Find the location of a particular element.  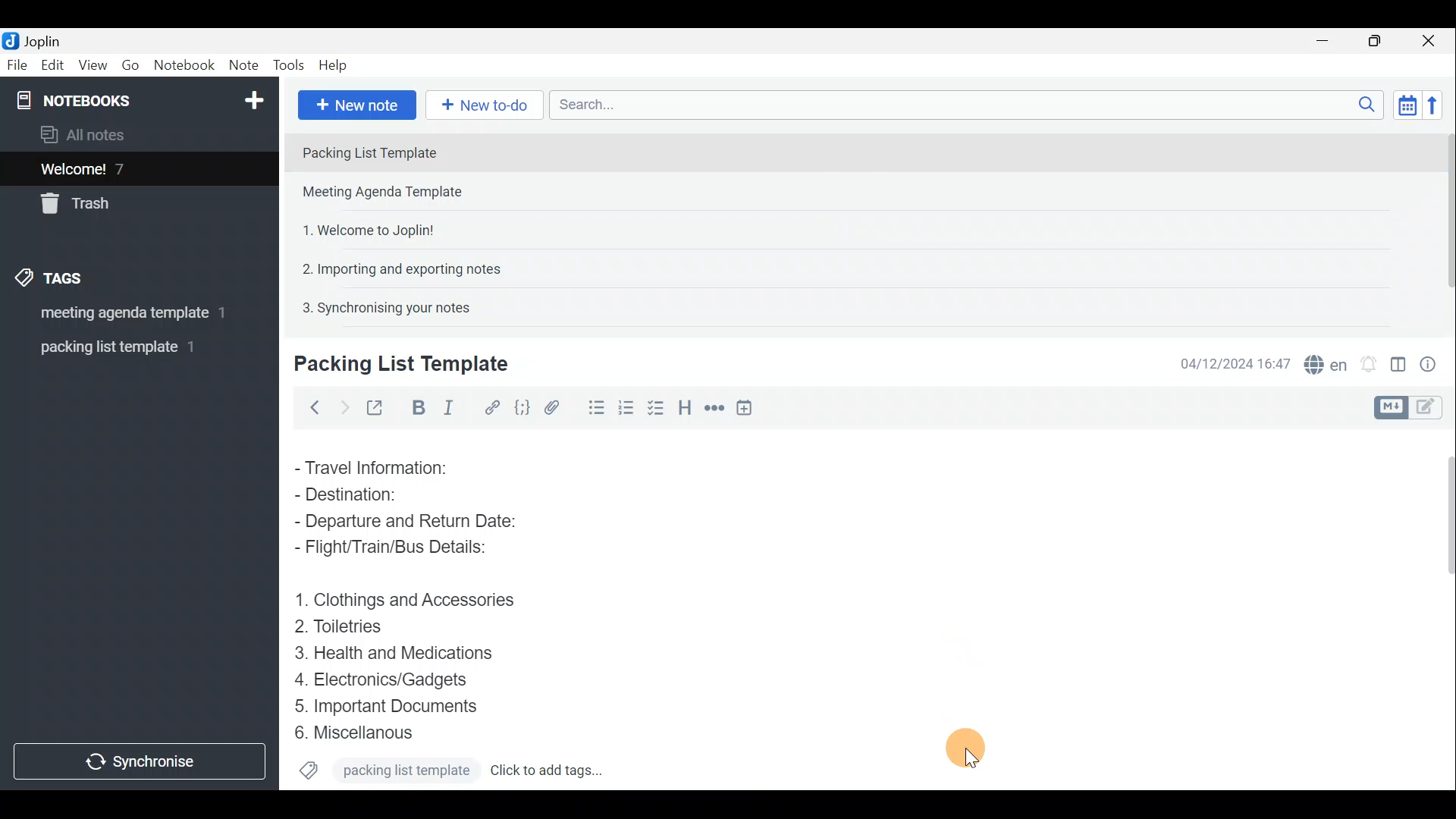

Note 2 is located at coordinates (388, 193).